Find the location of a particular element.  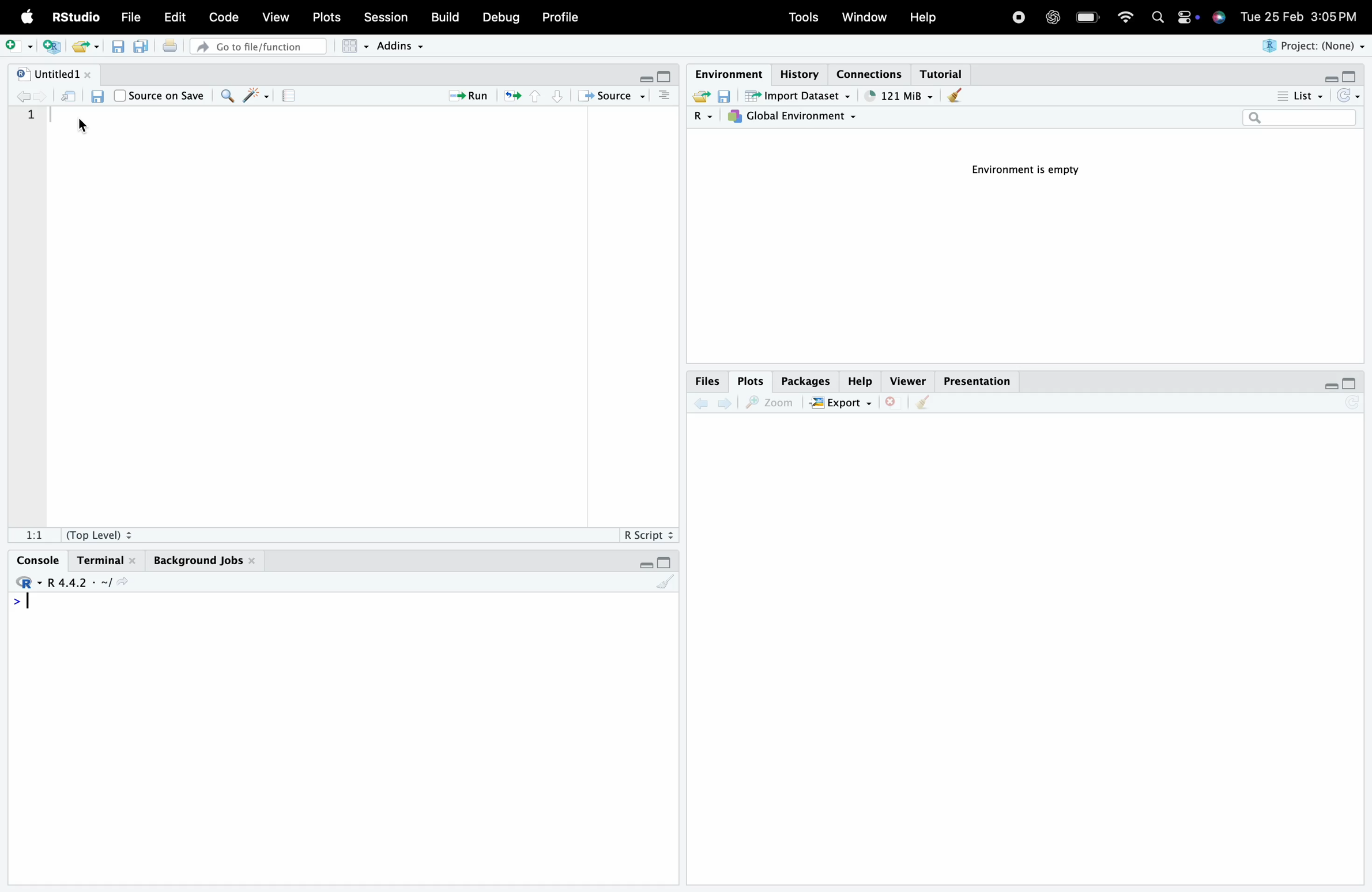

Import Dataset is located at coordinates (798, 96).